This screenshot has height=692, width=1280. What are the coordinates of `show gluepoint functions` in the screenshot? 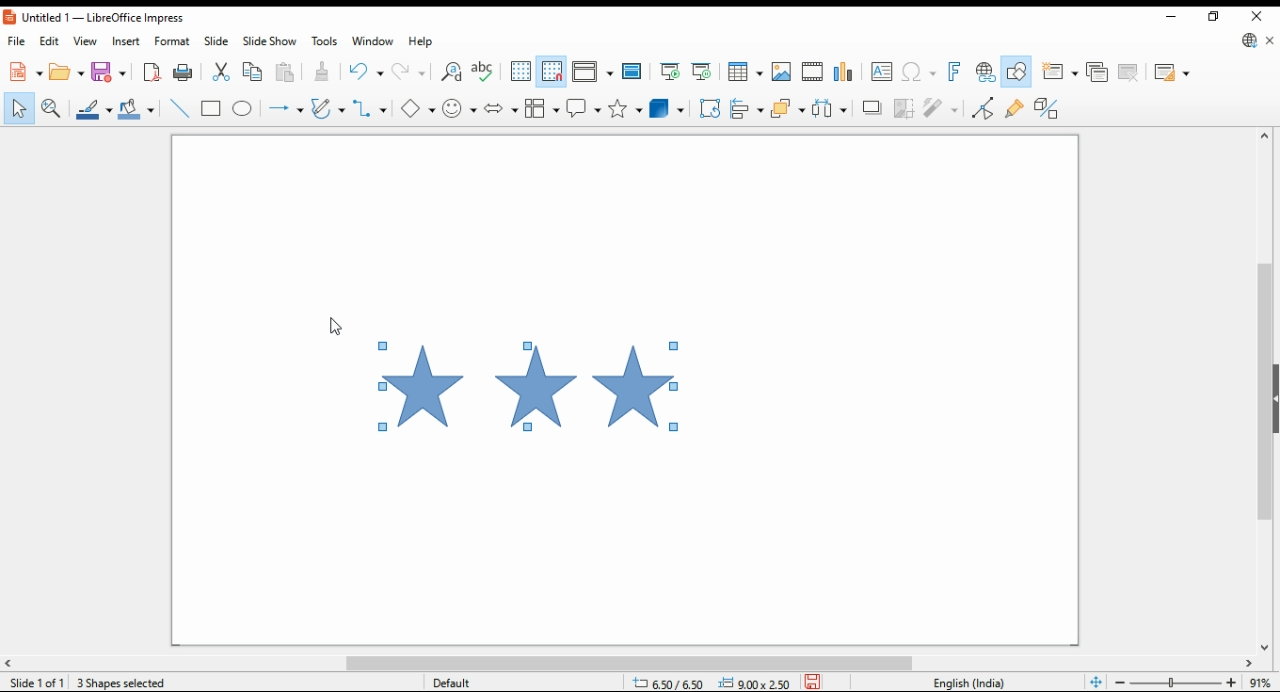 It's located at (1016, 107).